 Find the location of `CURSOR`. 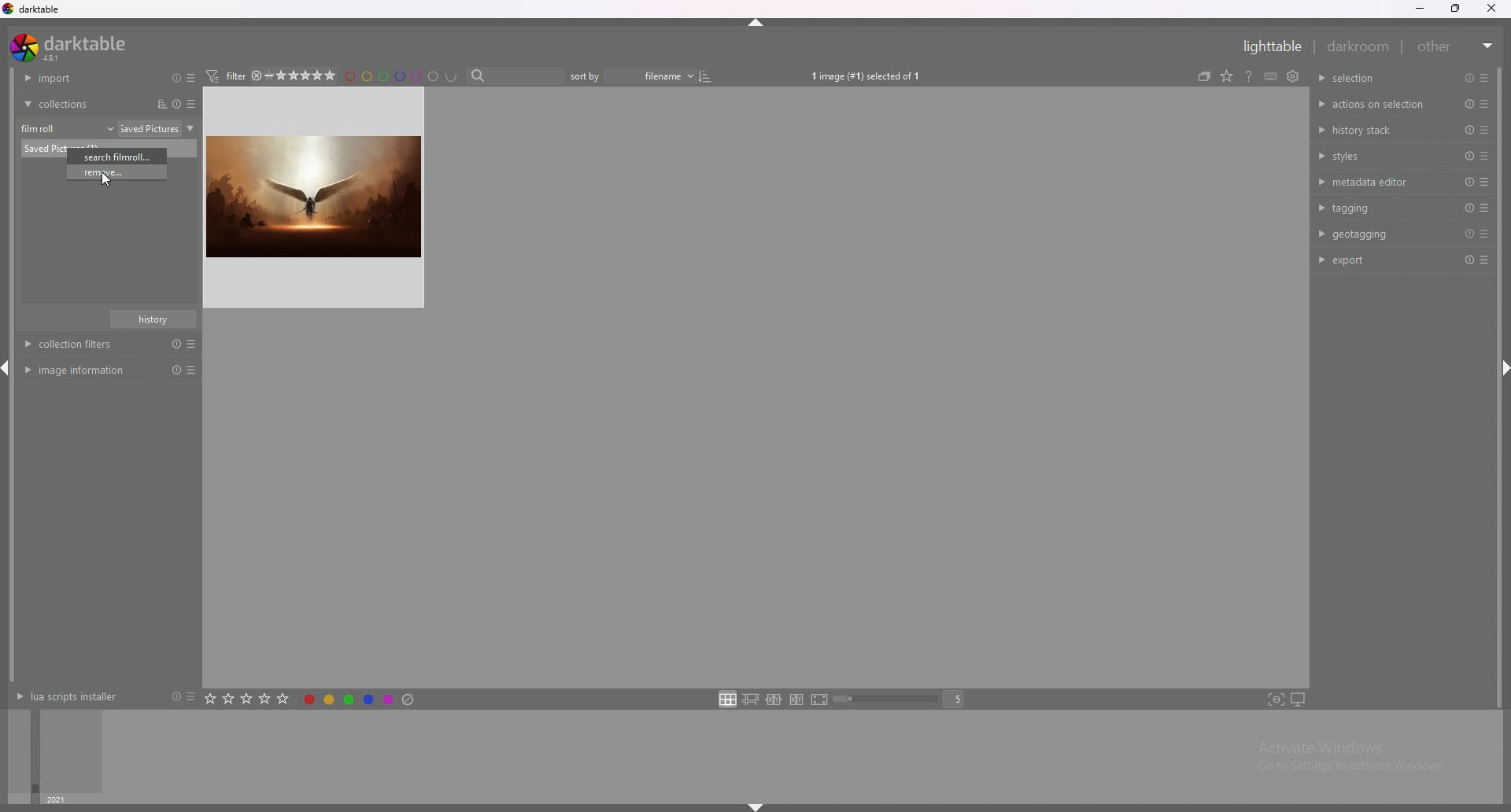

CURSOR is located at coordinates (104, 178).